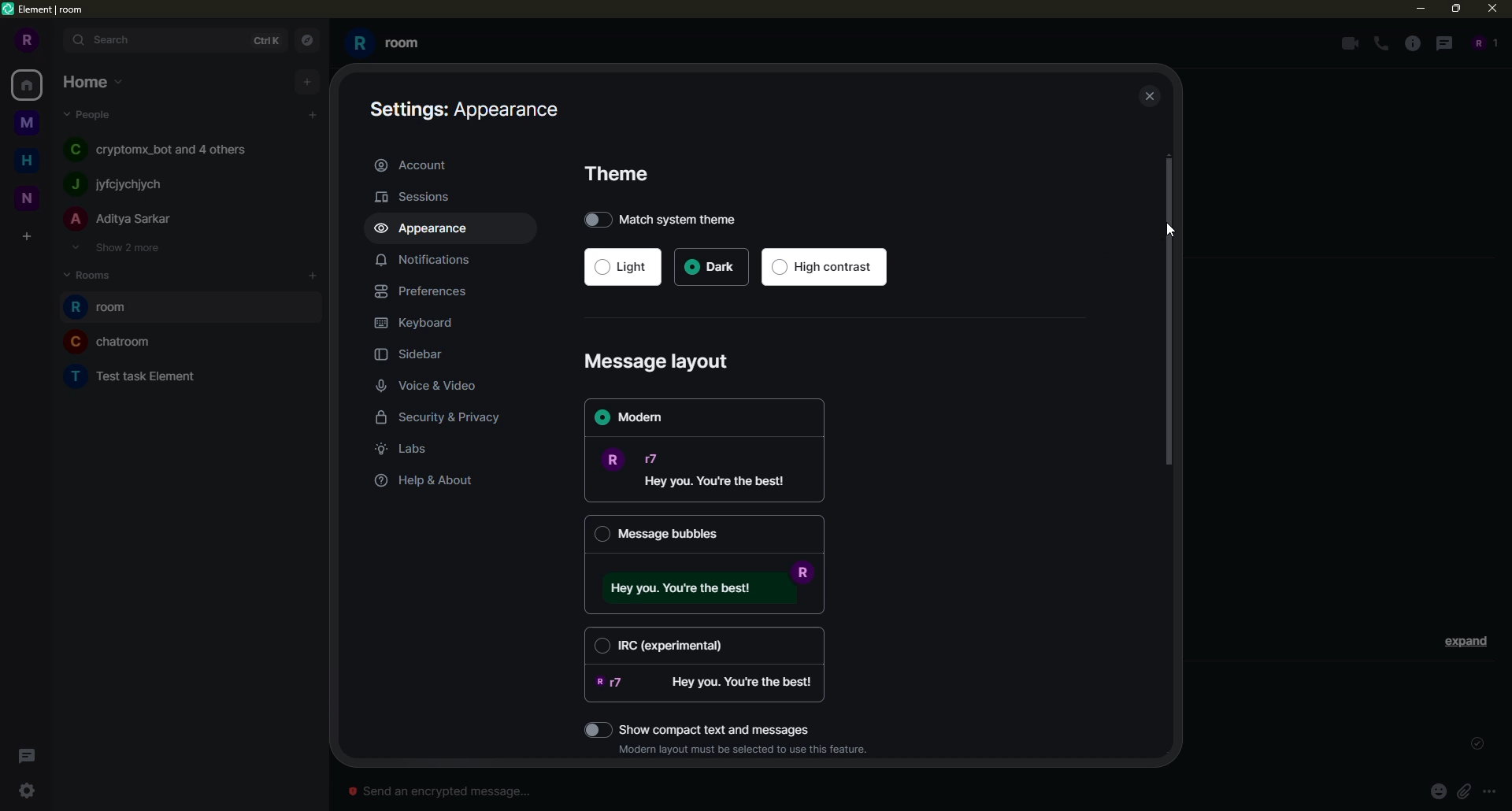 The width and height of the screenshot is (1512, 811). What do you see at coordinates (112, 39) in the screenshot?
I see `search` at bounding box center [112, 39].